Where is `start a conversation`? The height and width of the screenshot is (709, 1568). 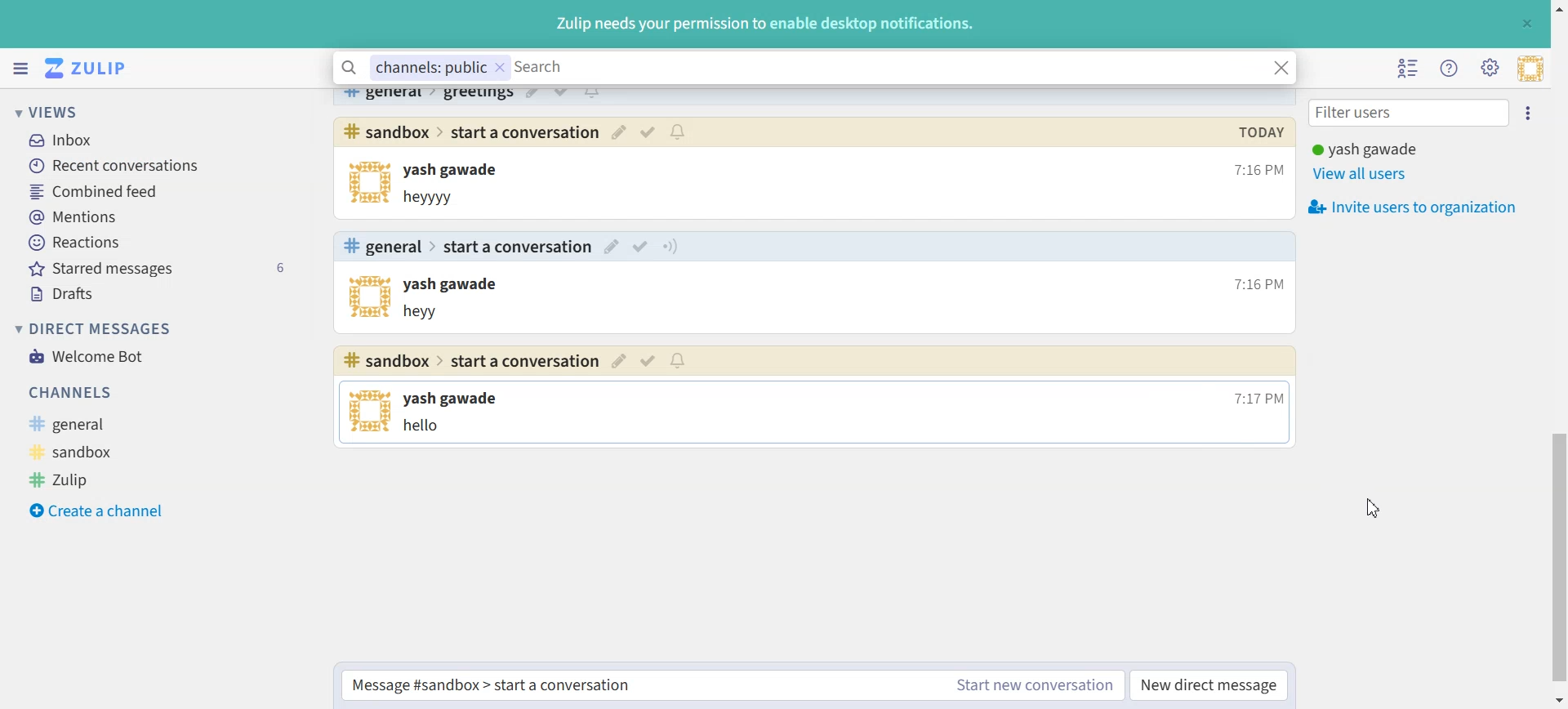
start a conversation is located at coordinates (520, 247).